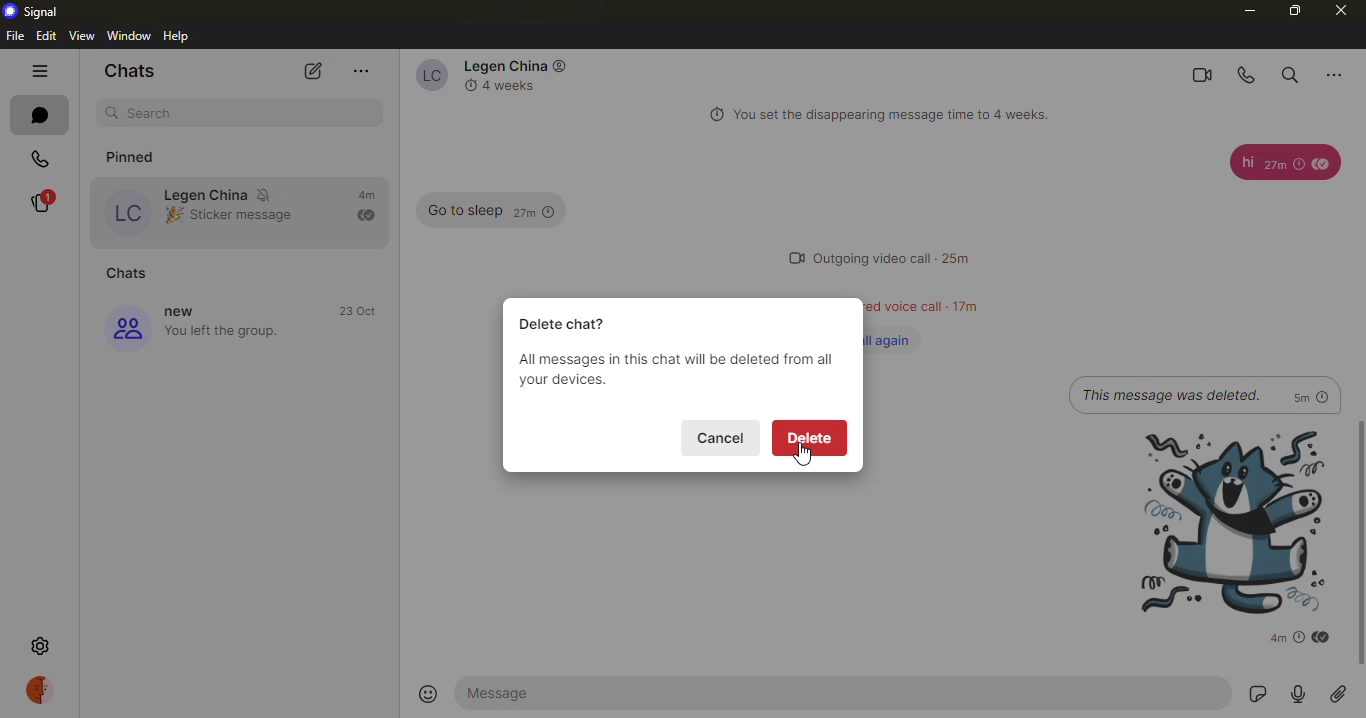 Image resolution: width=1366 pixels, height=718 pixels. What do you see at coordinates (267, 193) in the screenshot?
I see `mute notifications` at bounding box center [267, 193].